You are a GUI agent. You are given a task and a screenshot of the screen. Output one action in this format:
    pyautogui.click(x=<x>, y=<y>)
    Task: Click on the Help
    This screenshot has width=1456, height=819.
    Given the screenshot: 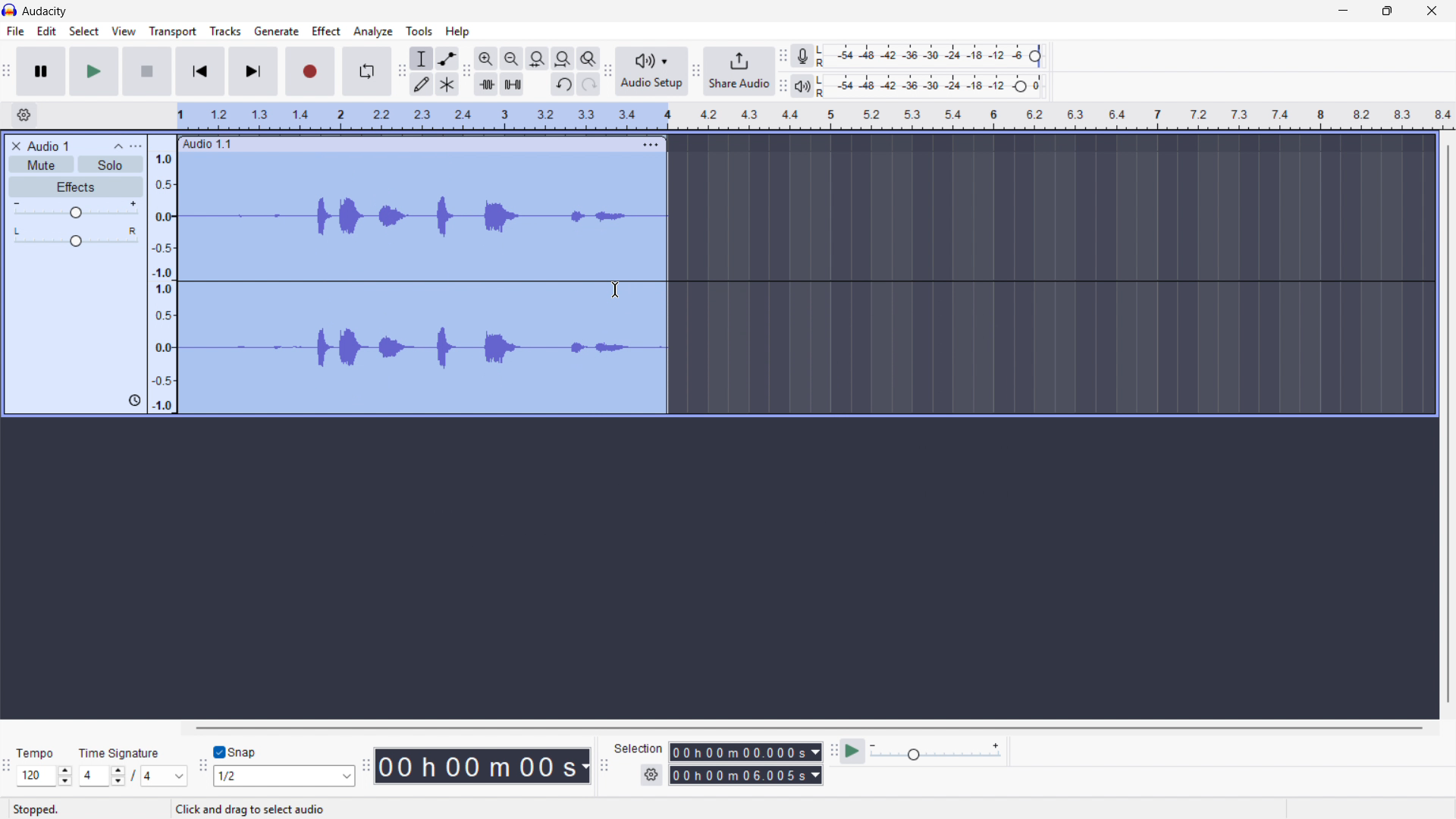 What is the action you would take?
    pyautogui.click(x=458, y=32)
    